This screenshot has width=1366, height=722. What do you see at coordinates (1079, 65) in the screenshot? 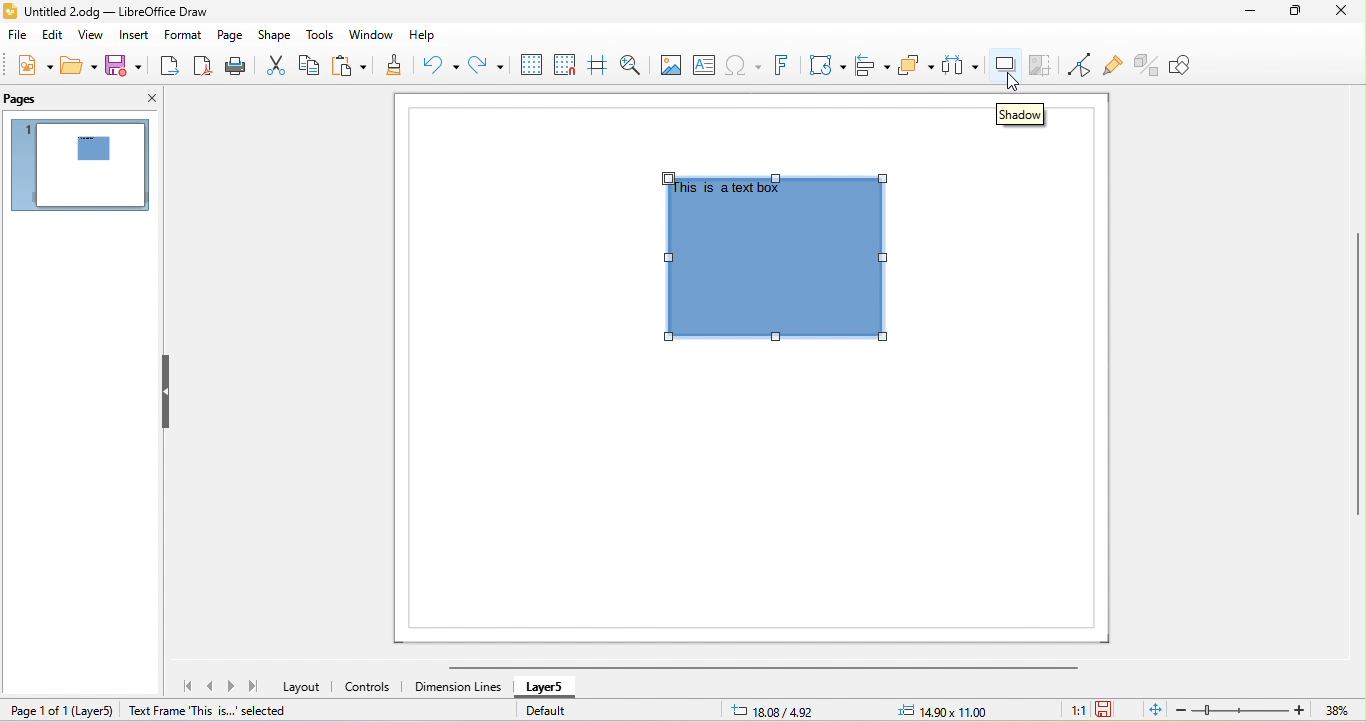
I see `toggle point edit mode` at bounding box center [1079, 65].